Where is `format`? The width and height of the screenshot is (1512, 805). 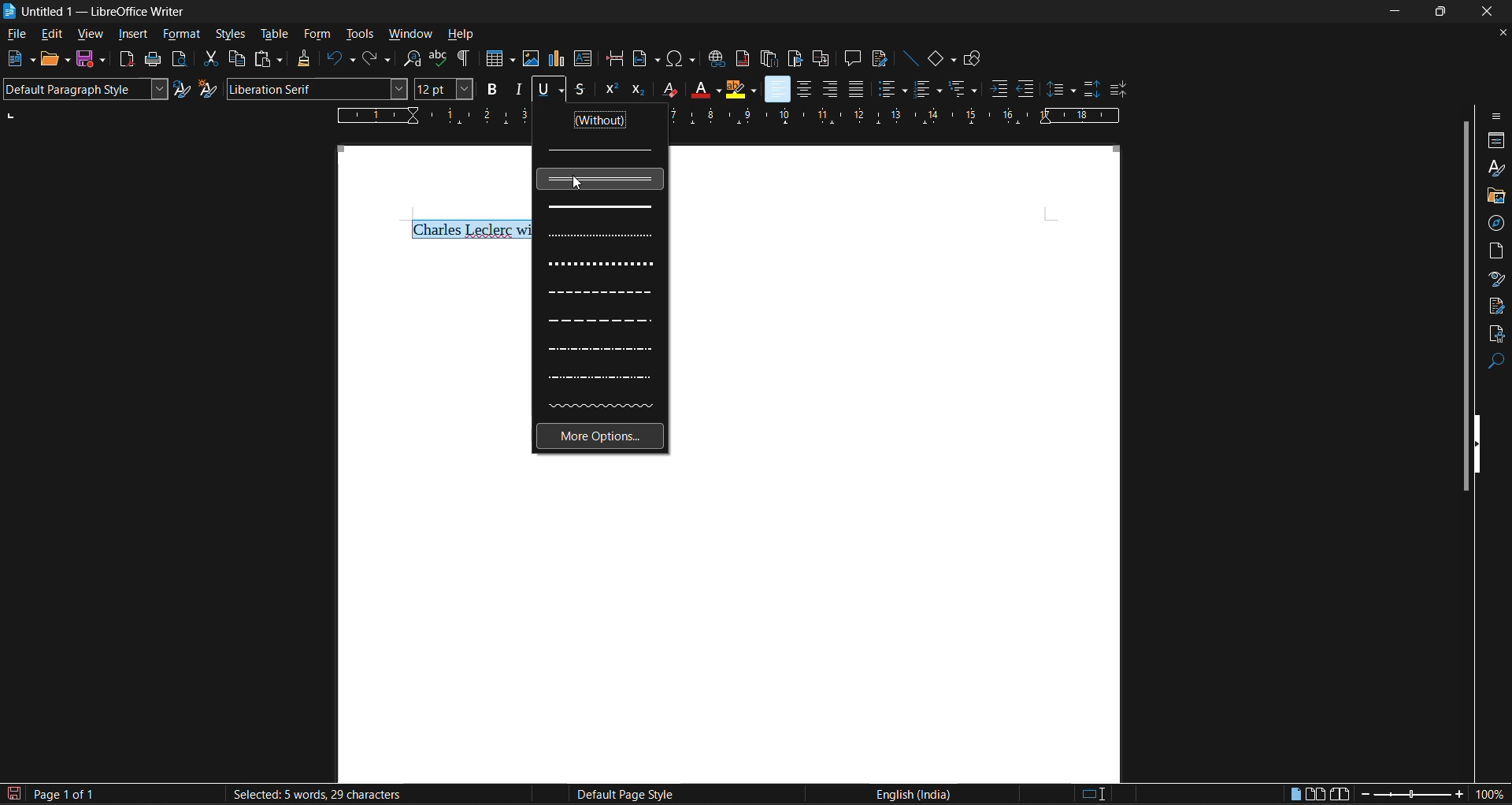
format is located at coordinates (182, 35).